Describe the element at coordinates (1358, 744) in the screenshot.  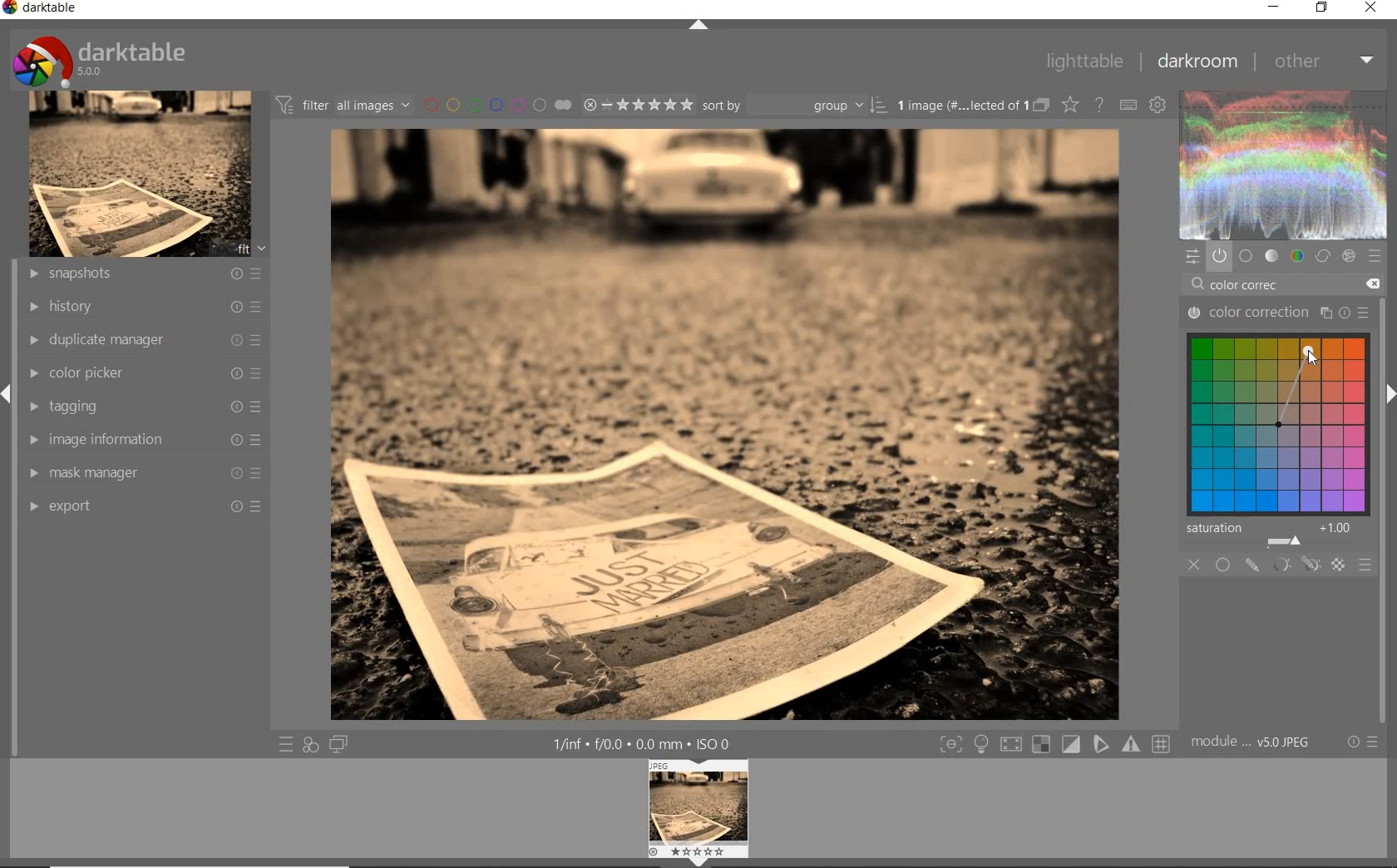
I see `reset or preset & preference` at that location.